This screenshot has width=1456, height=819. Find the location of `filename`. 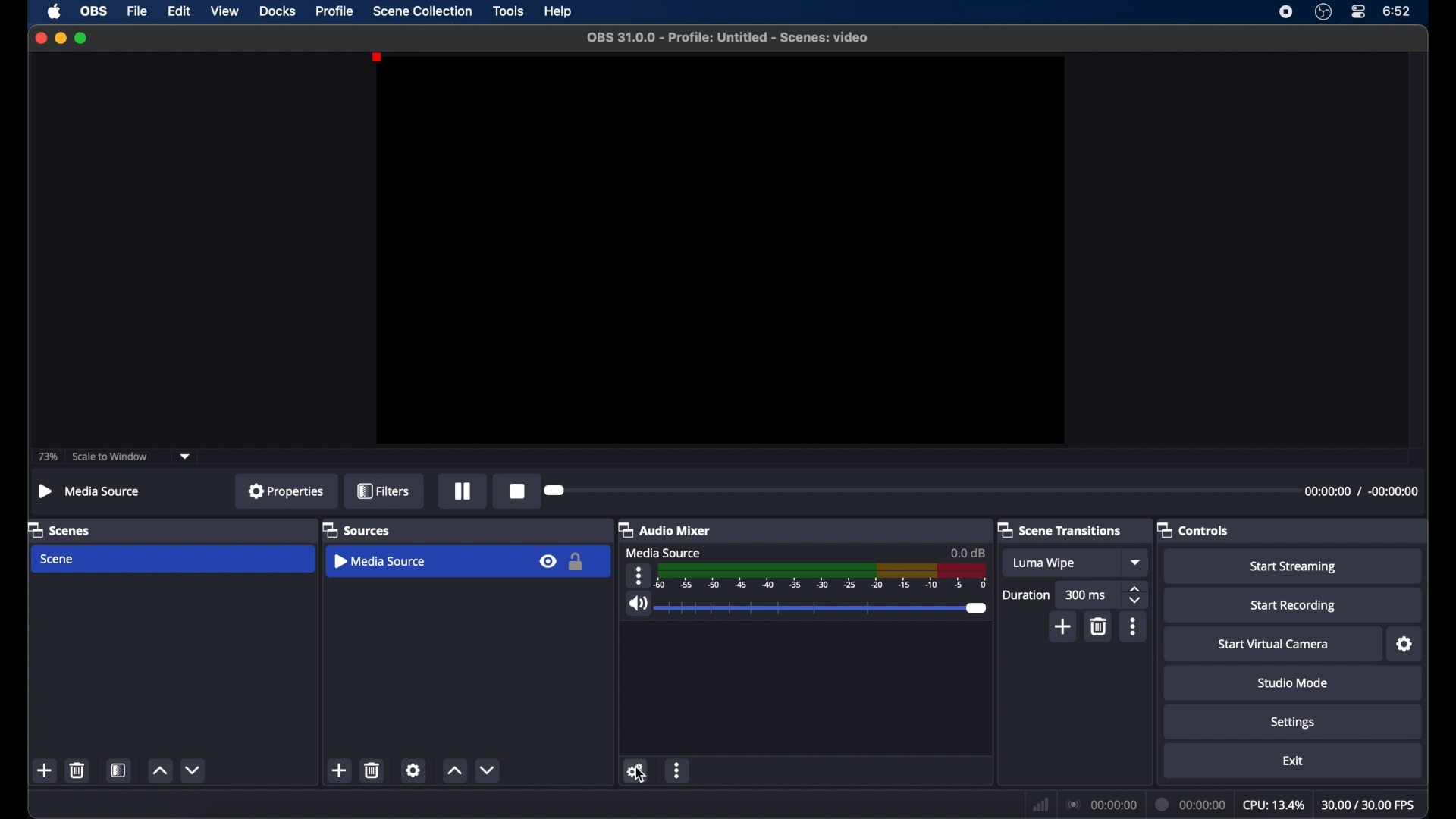

filename is located at coordinates (729, 37).